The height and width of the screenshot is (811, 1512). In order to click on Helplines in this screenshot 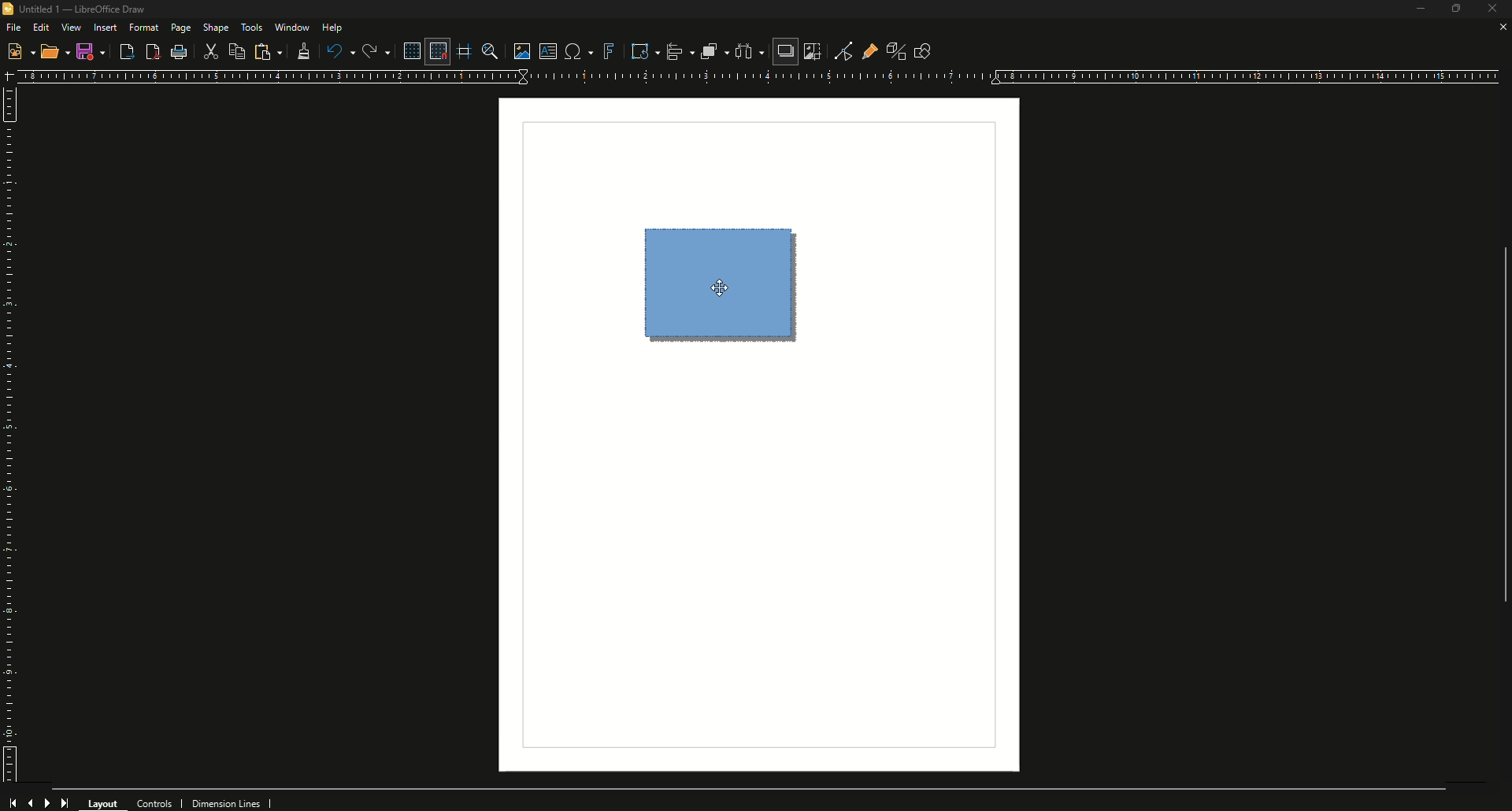, I will do `click(465, 51)`.